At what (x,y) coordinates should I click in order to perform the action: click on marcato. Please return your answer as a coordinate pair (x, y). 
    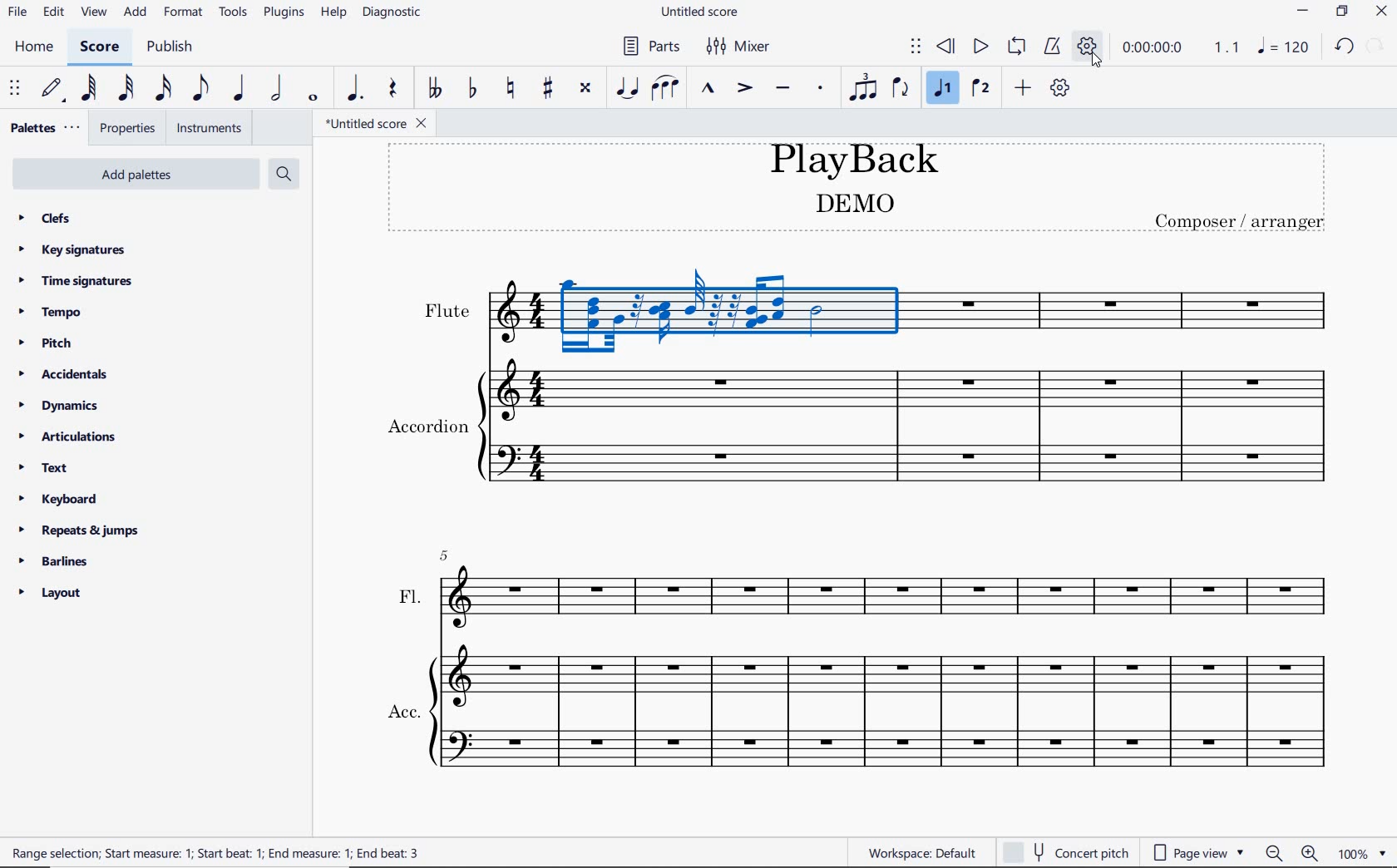
    Looking at the image, I should click on (708, 89).